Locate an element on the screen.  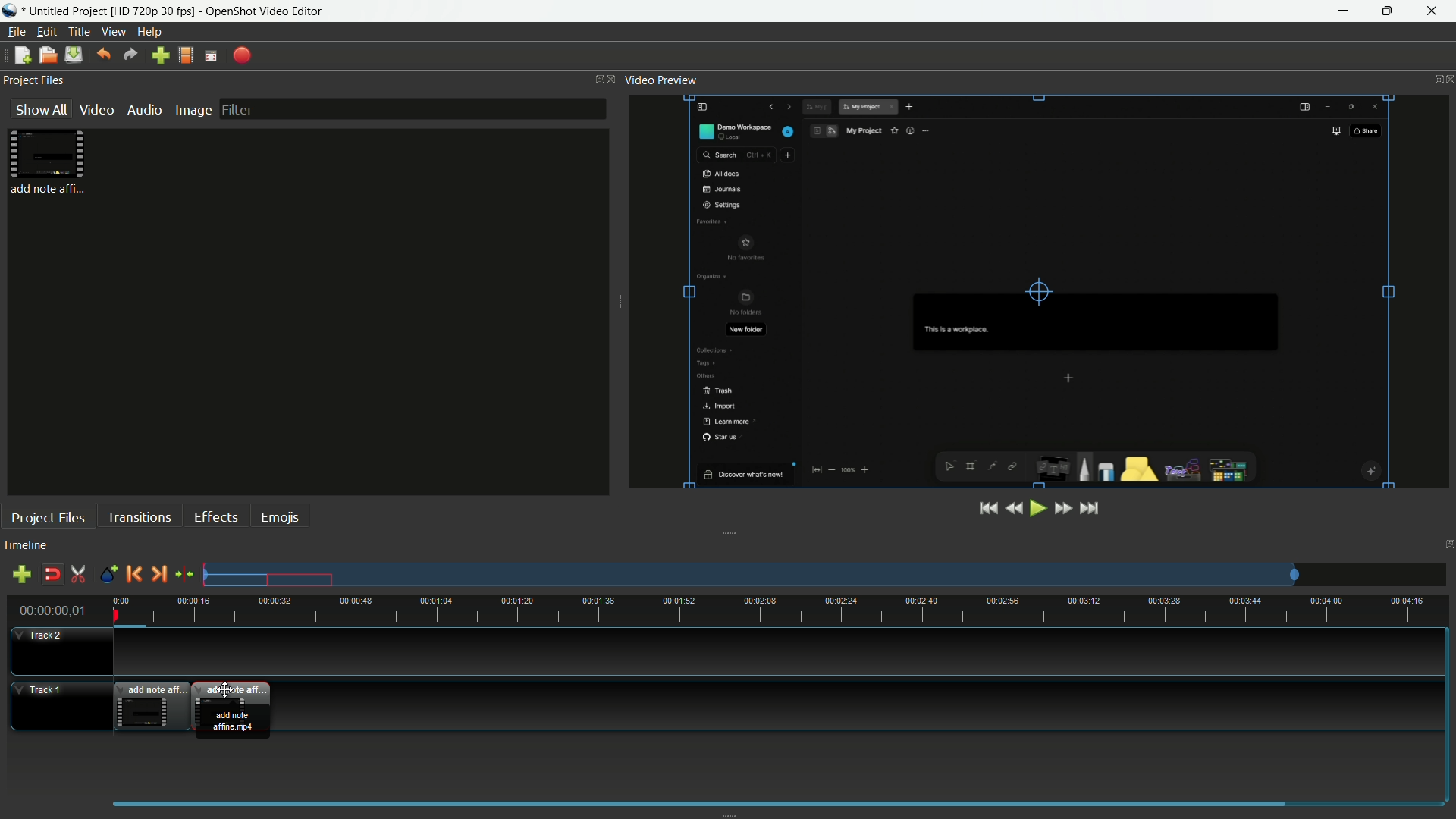
play or pause is located at coordinates (1037, 509).